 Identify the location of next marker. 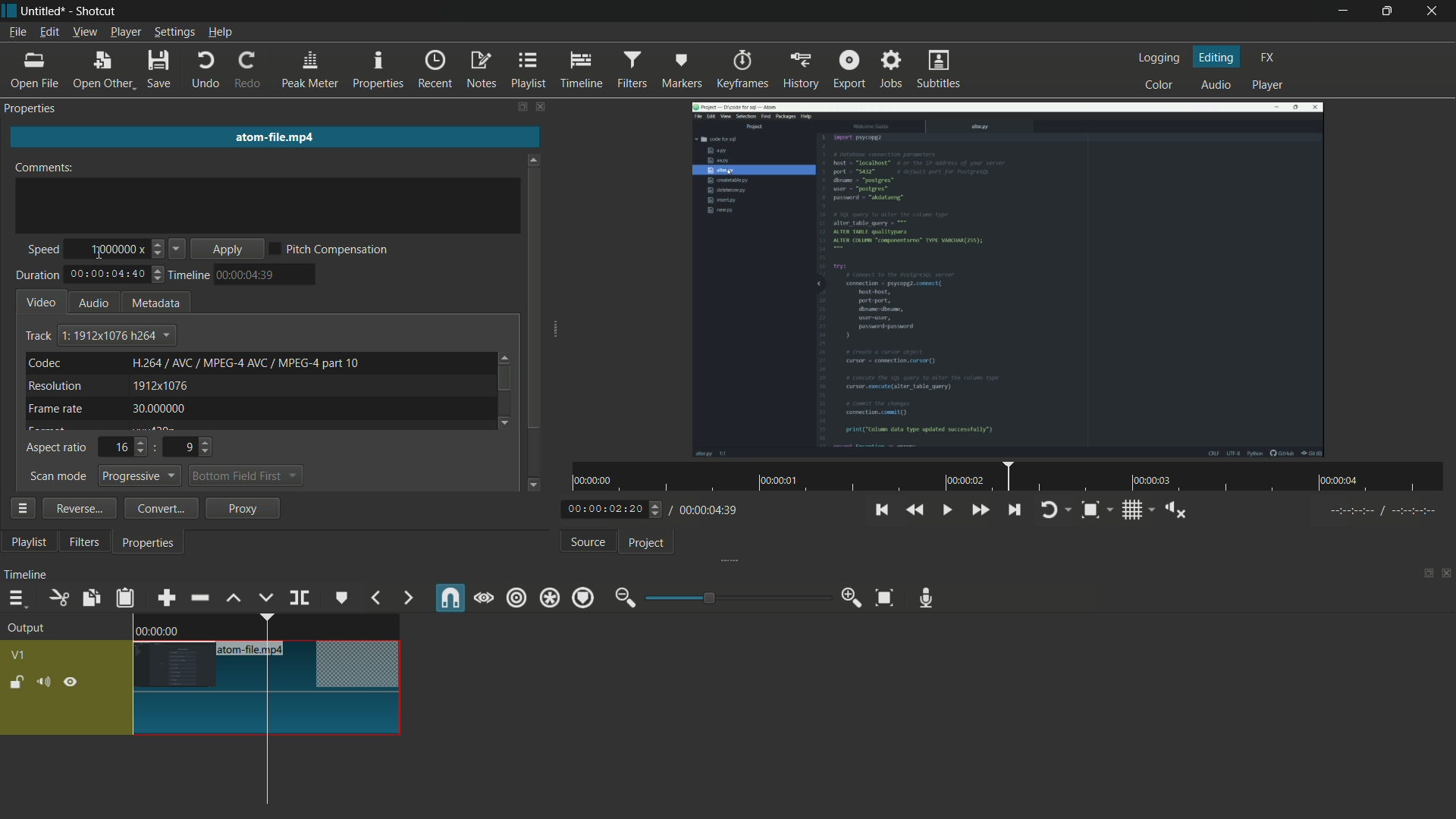
(406, 598).